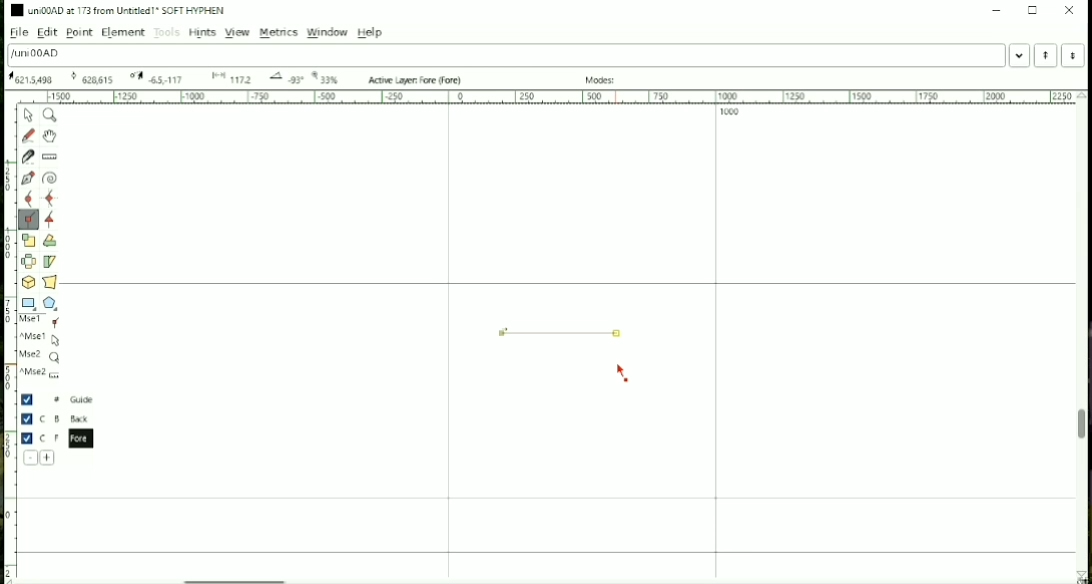  I want to click on 173 Oxad U+00AD "uni00AD" SOFT HYPHEN, so click(93, 79).